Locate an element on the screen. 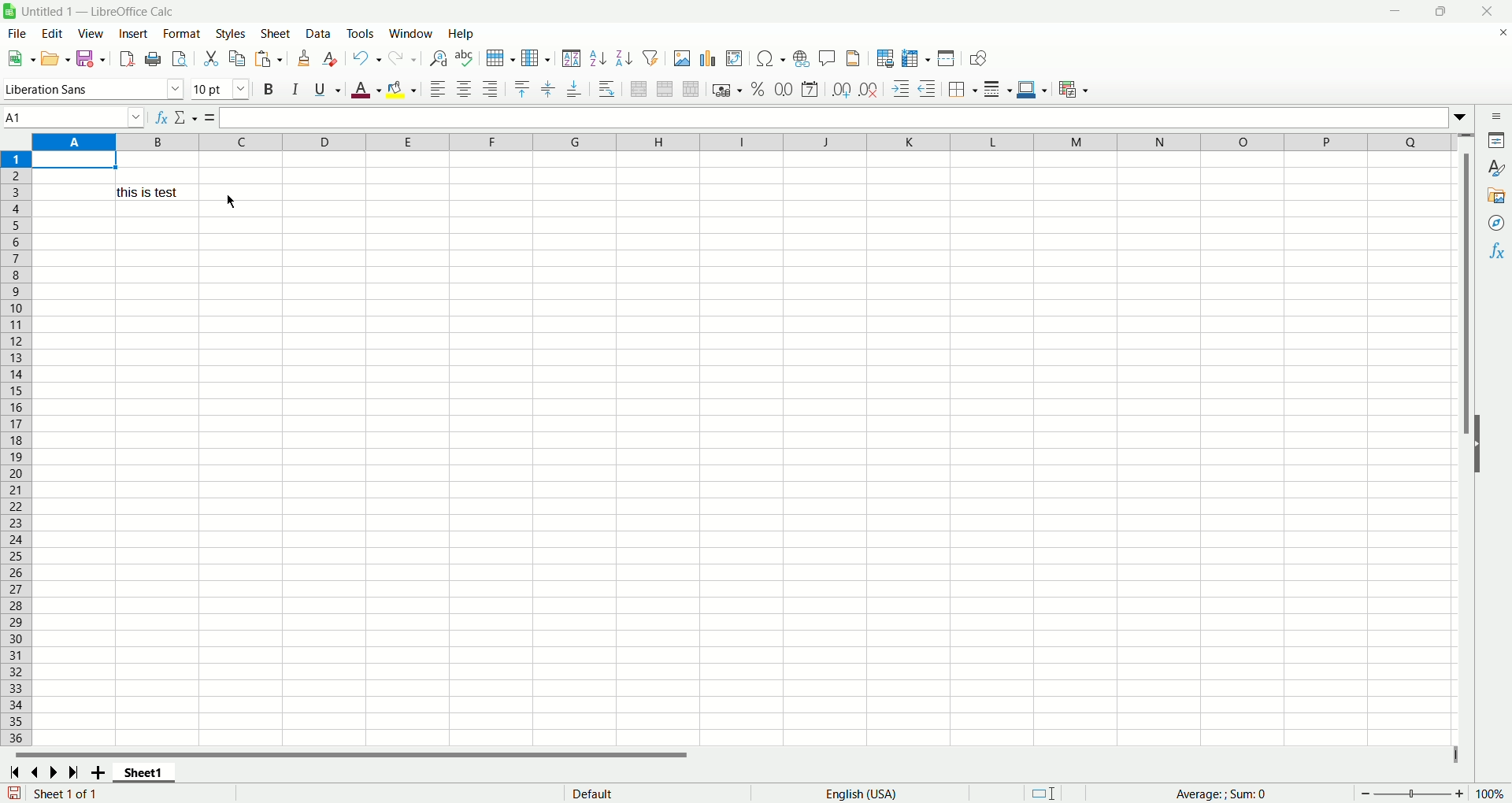  vertical scroll bar is located at coordinates (1467, 269).